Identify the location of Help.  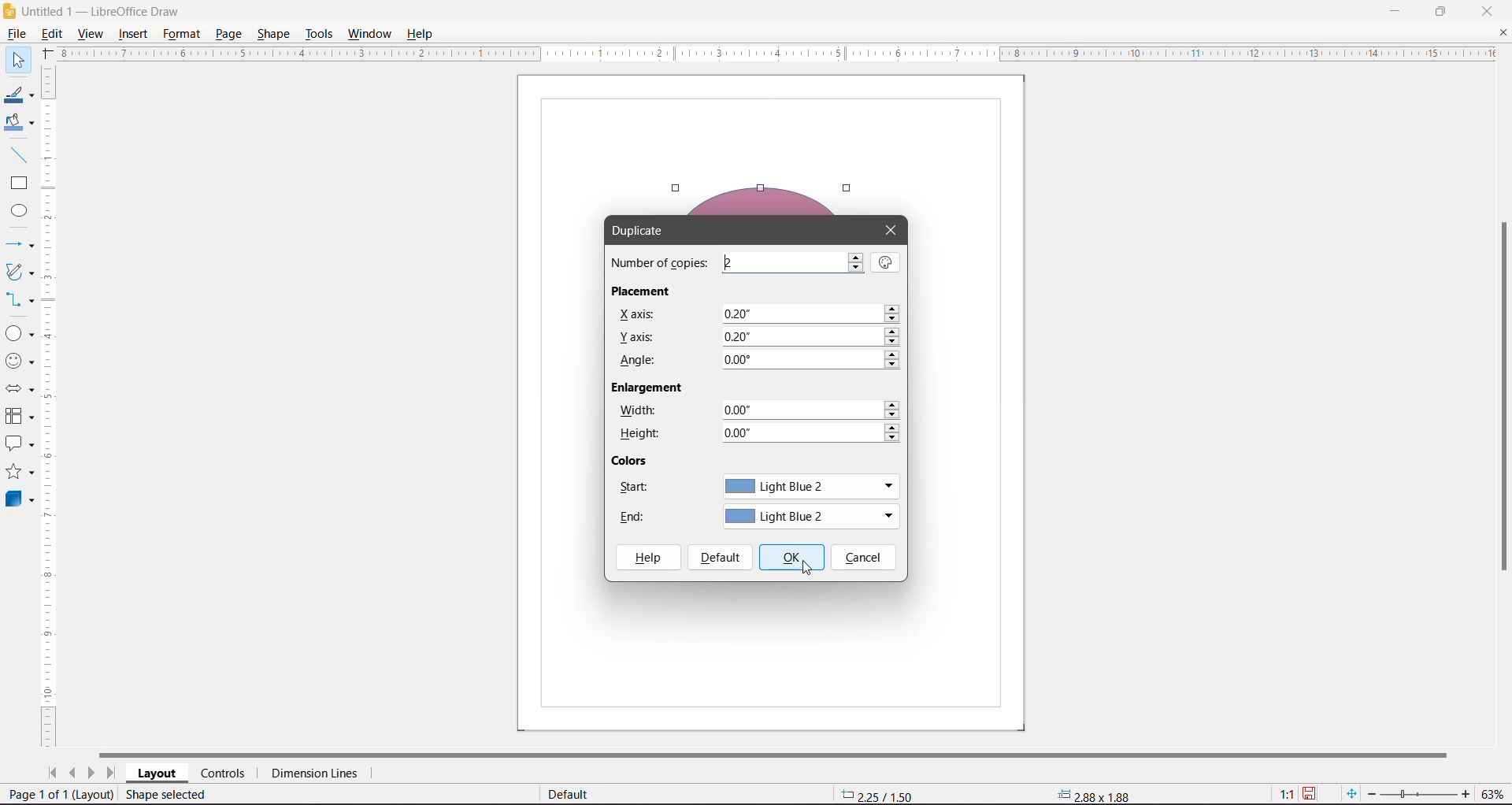
(424, 34).